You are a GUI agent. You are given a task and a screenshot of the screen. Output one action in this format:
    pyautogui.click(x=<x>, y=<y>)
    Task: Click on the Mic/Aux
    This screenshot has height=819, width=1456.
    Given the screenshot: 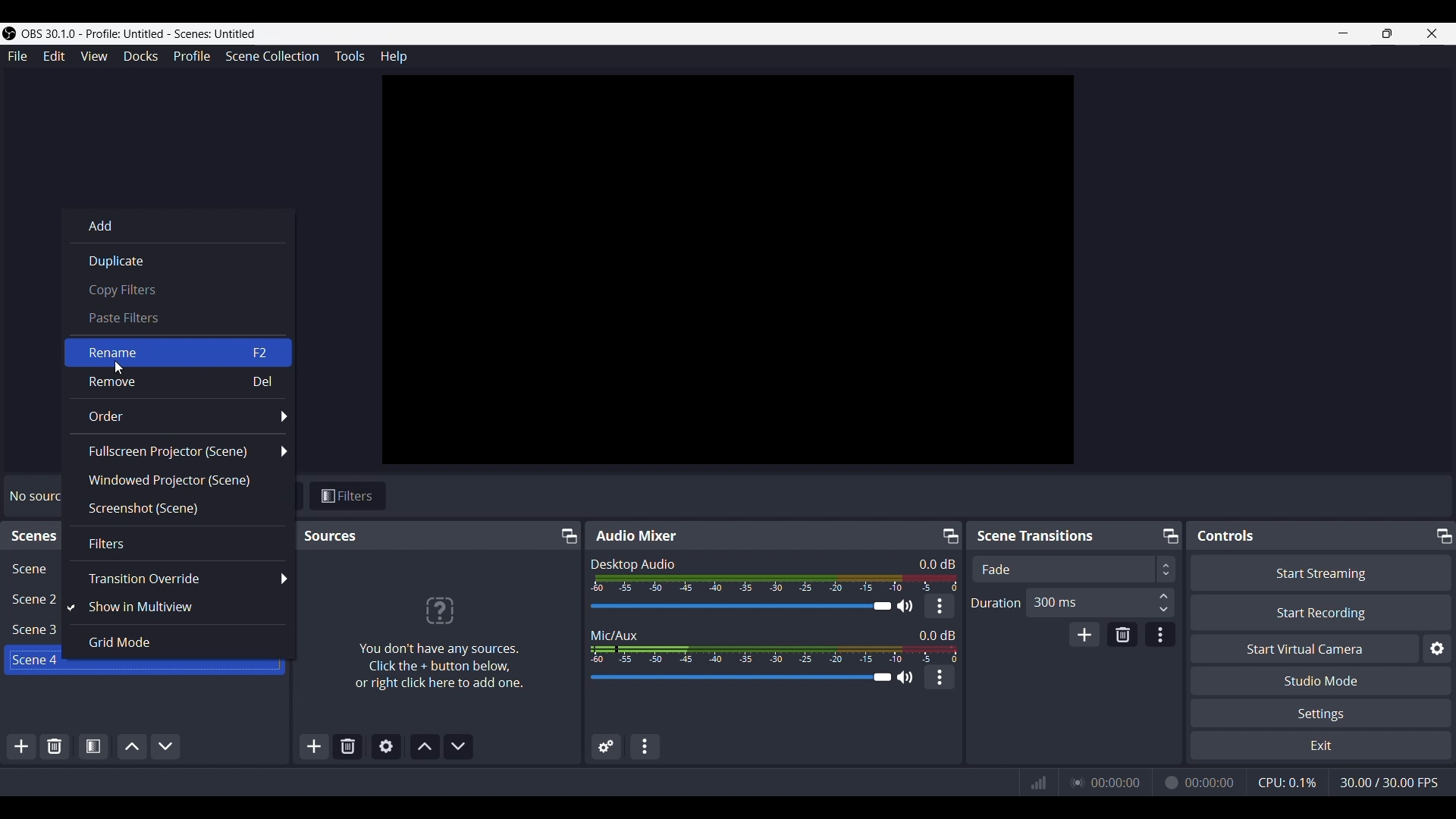 What is the action you would take?
    pyautogui.click(x=614, y=634)
    